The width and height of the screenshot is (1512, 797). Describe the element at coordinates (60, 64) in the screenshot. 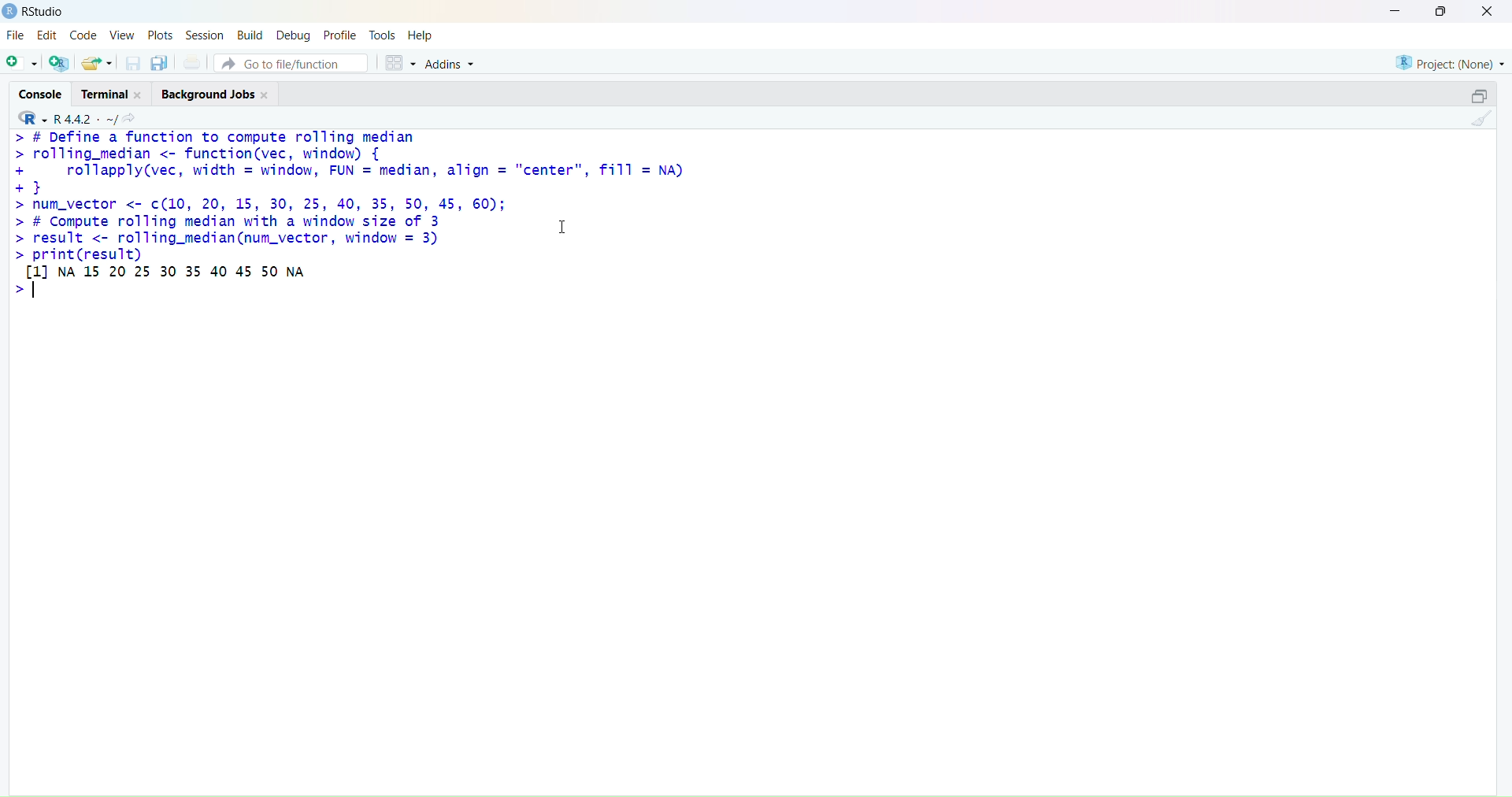

I see `add R file` at that location.